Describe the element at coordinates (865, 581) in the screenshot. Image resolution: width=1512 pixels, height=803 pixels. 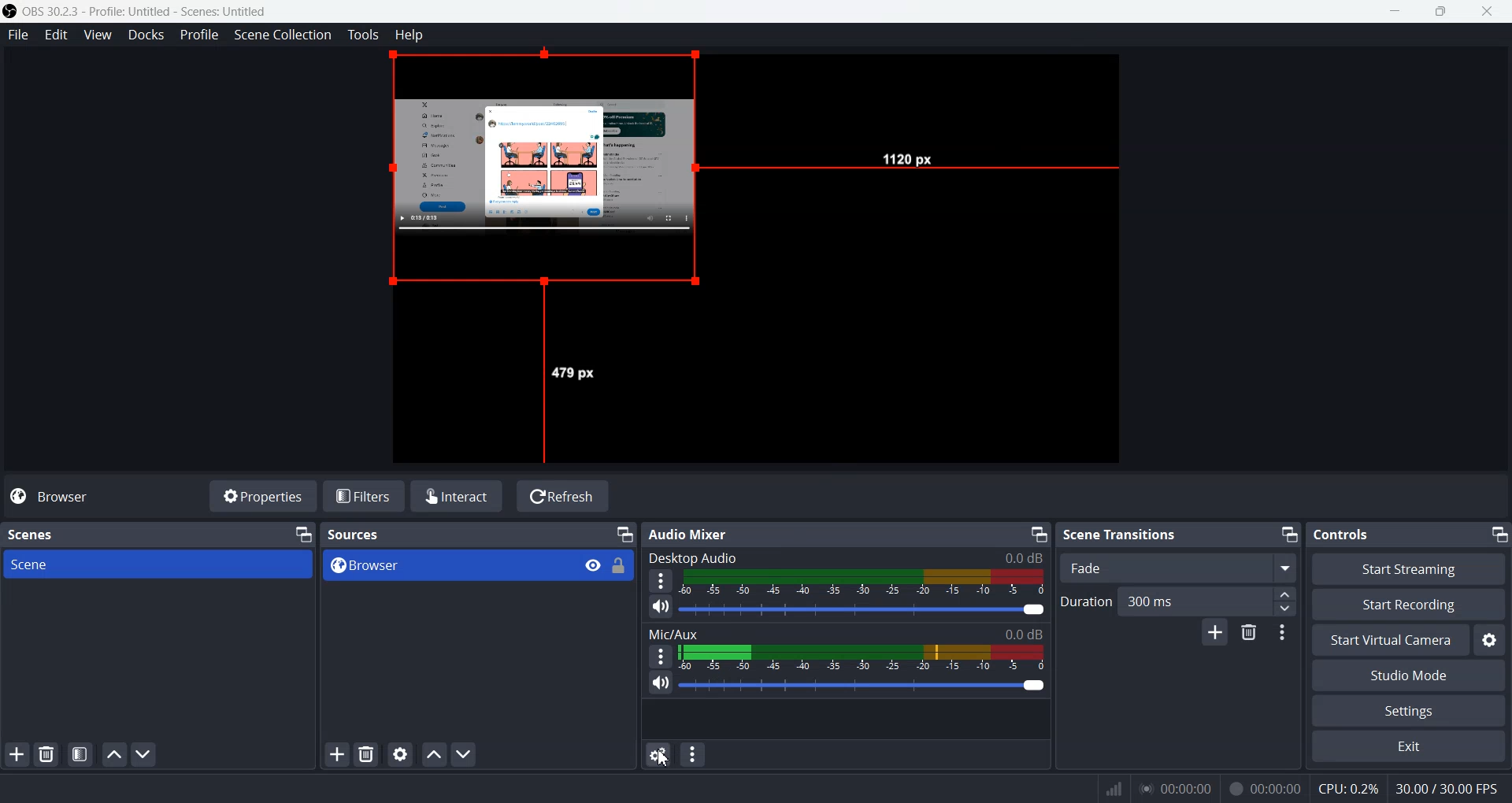
I see `Volume indicator` at that location.